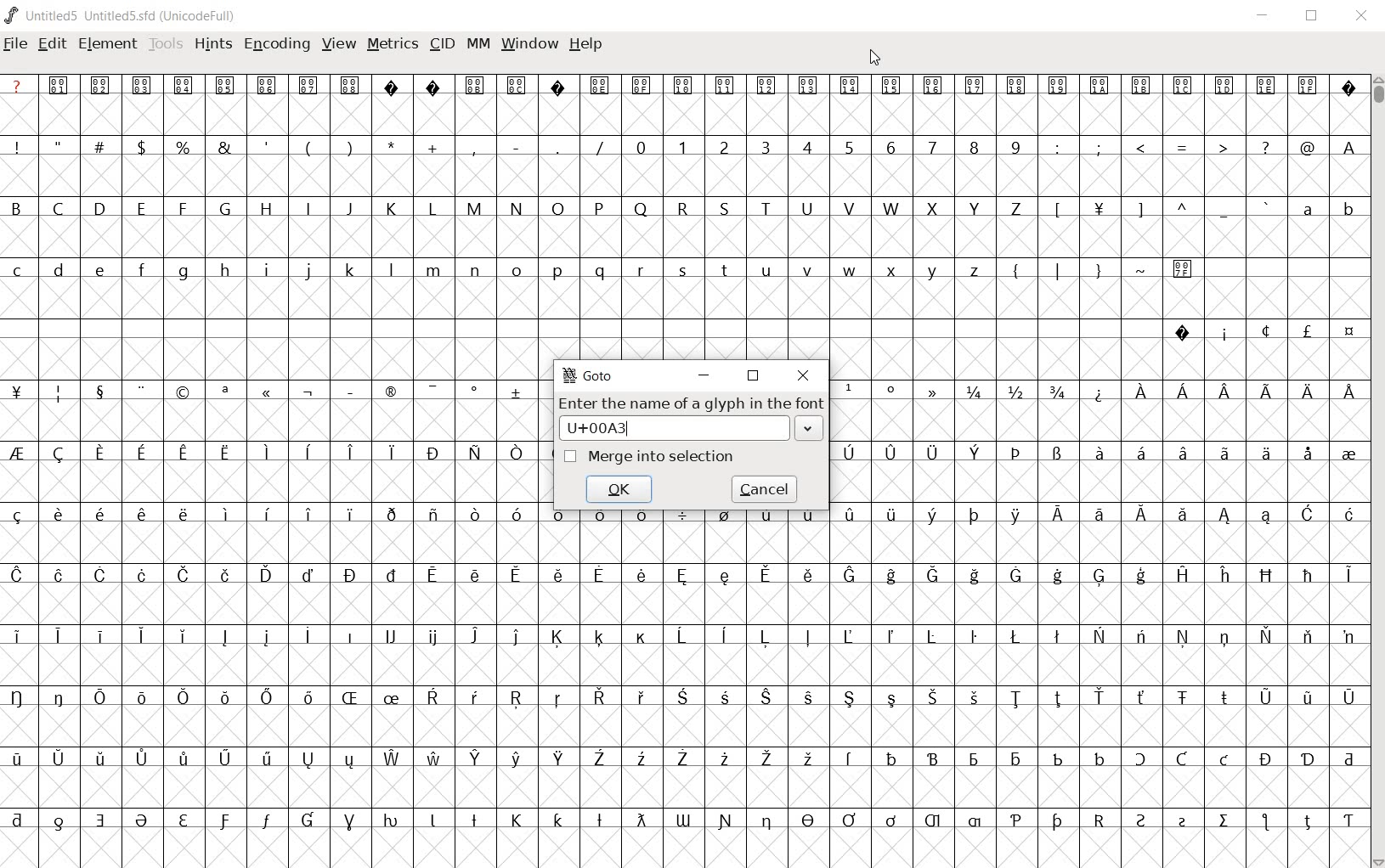  What do you see at coordinates (349, 698) in the screenshot?
I see `Symbol` at bounding box center [349, 698].